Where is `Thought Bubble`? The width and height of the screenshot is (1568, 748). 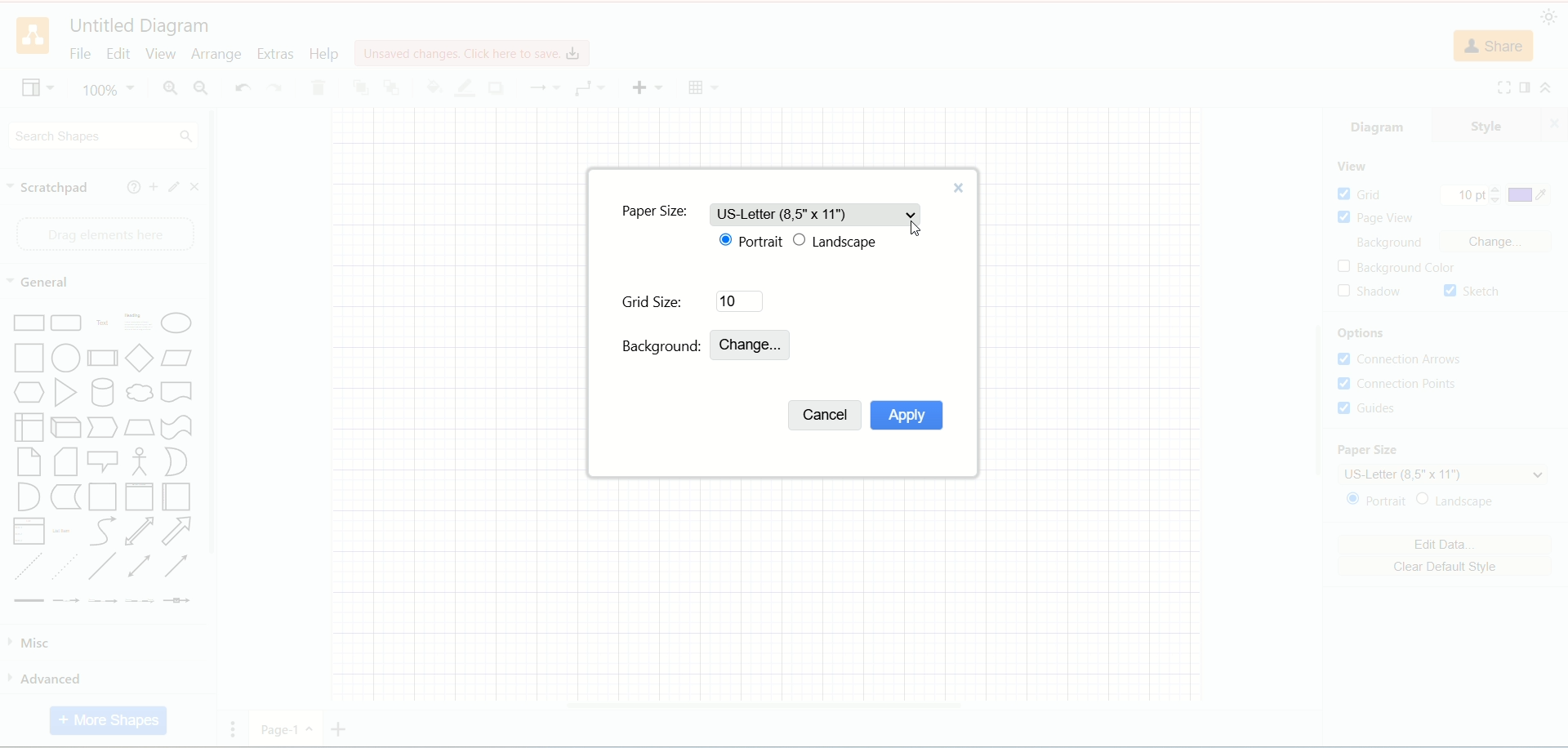 Thought Bubble is located at coordinates (140, 394).